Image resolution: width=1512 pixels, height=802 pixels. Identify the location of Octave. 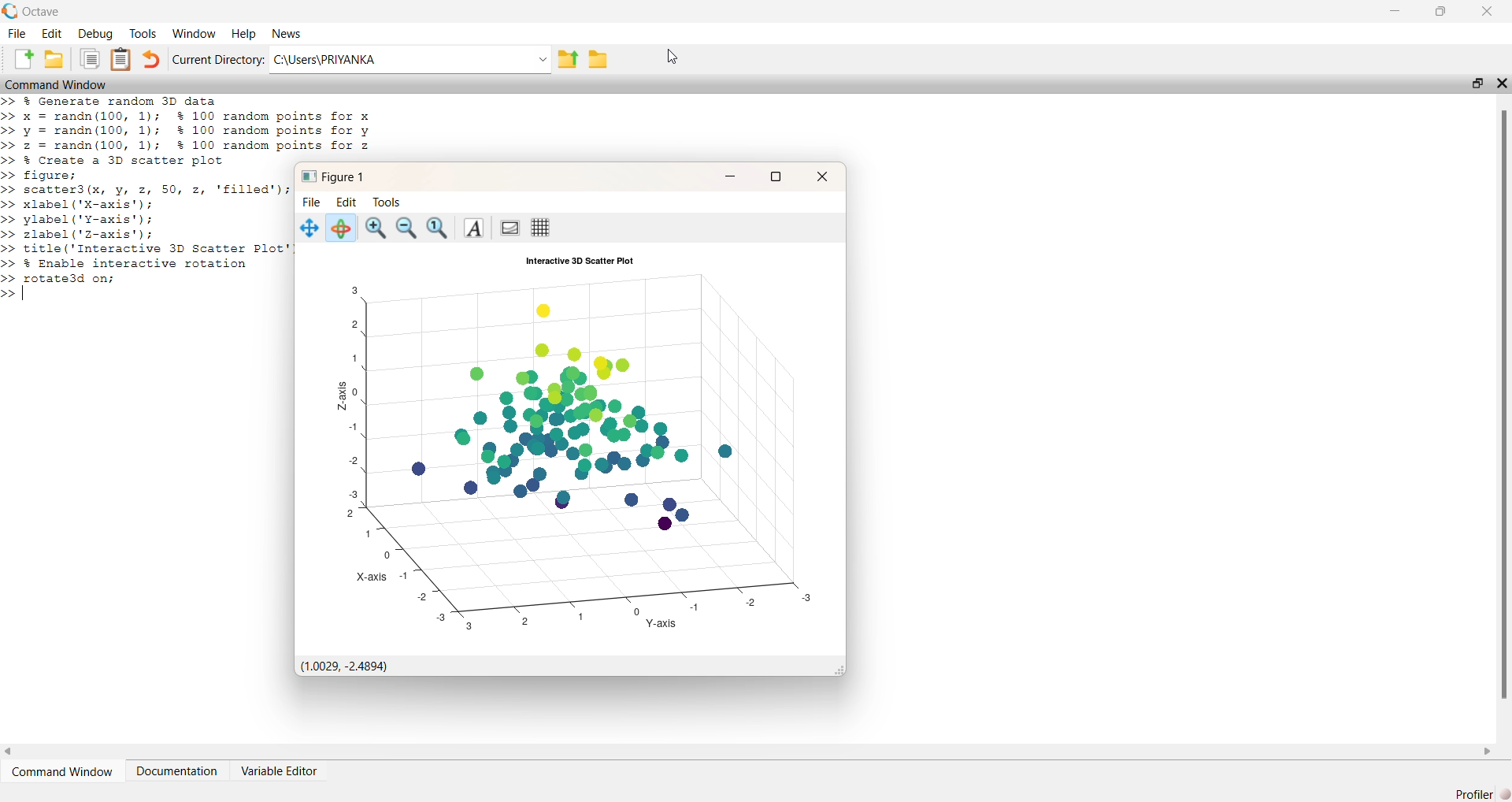
(41, 12).